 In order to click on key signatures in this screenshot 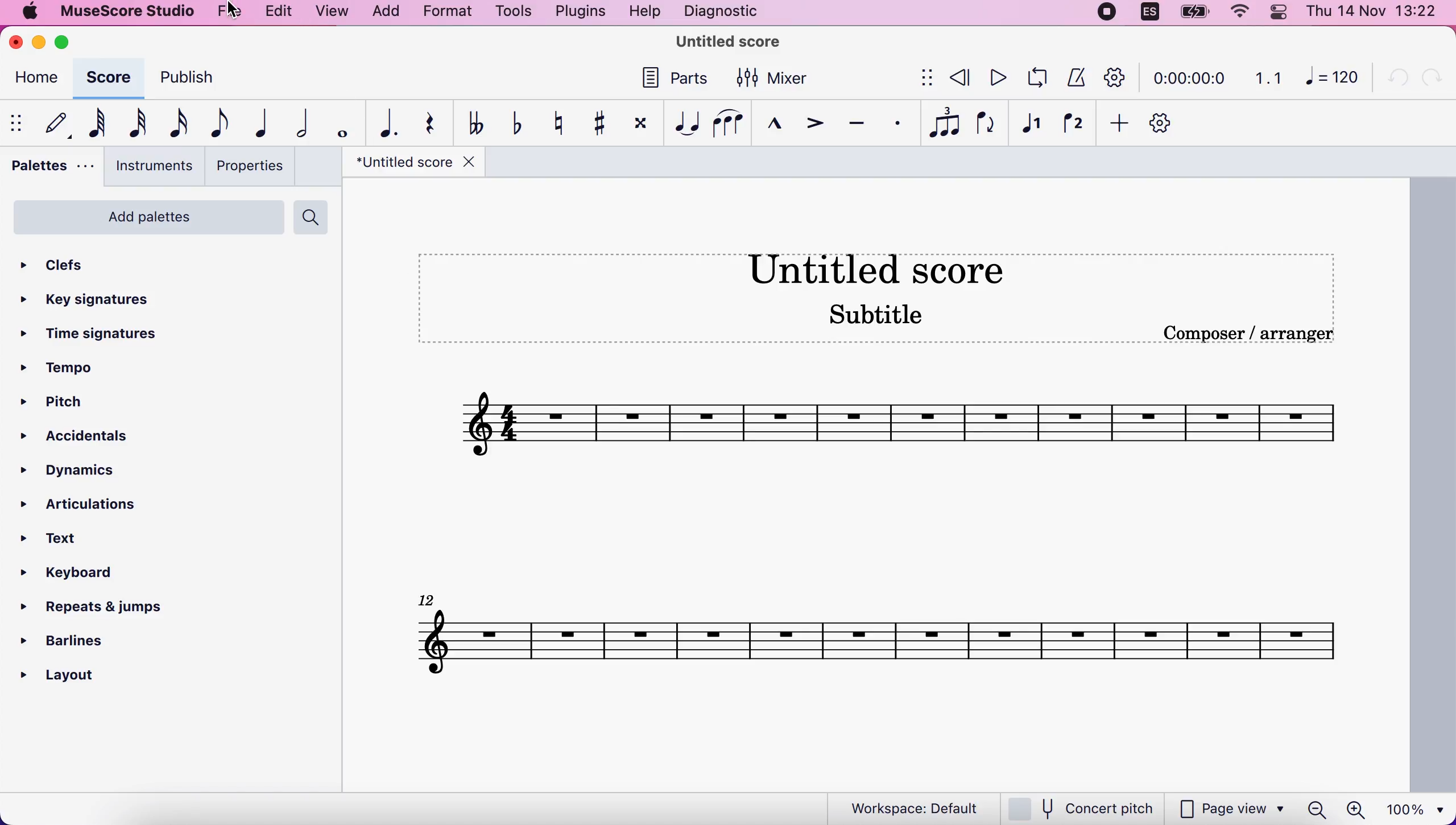, I will do `click(94, 301)`.